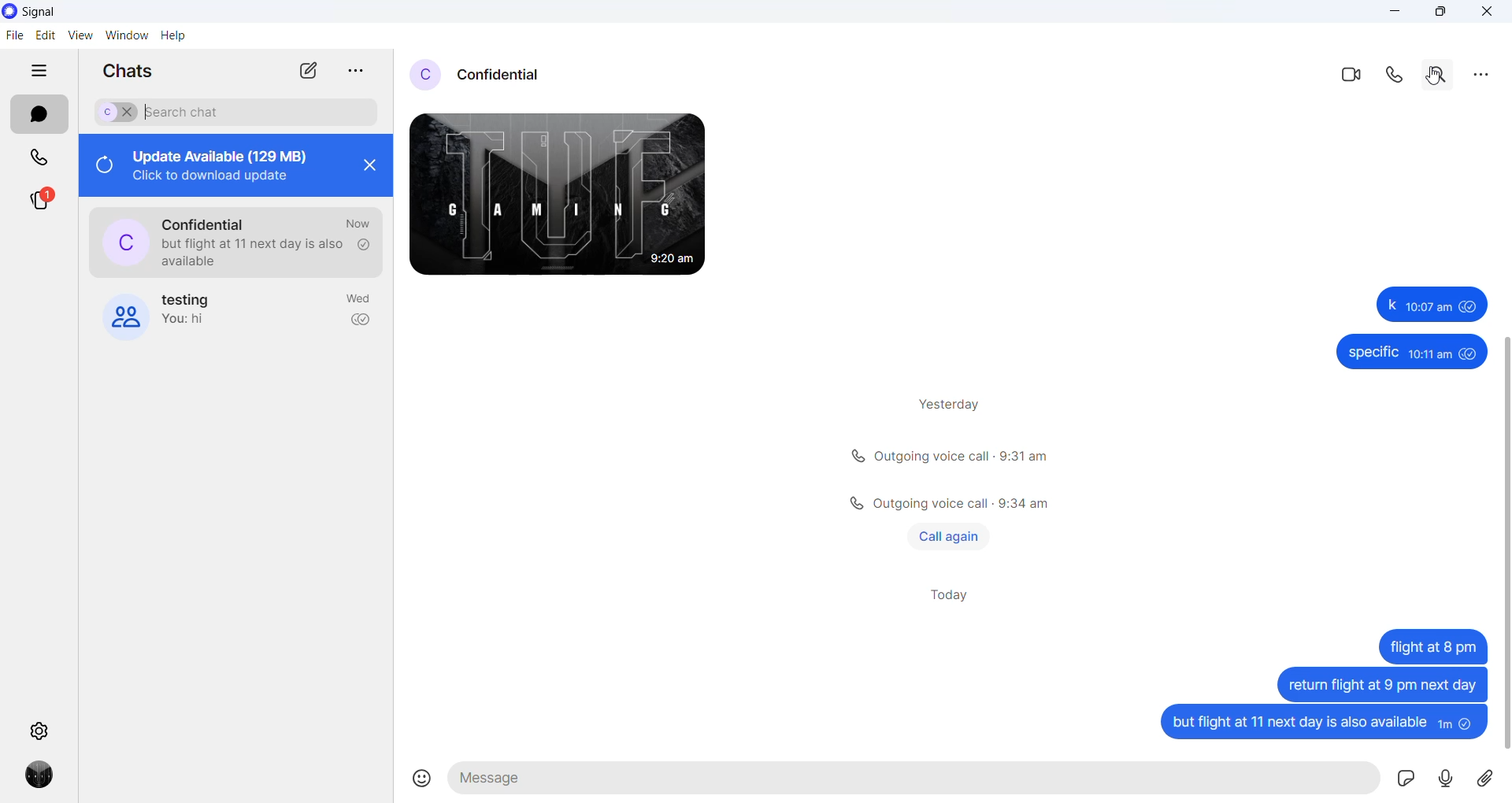 The width and height of the screenshot is (1512, 803). I want to click on yesterday text, so click(943, 401).